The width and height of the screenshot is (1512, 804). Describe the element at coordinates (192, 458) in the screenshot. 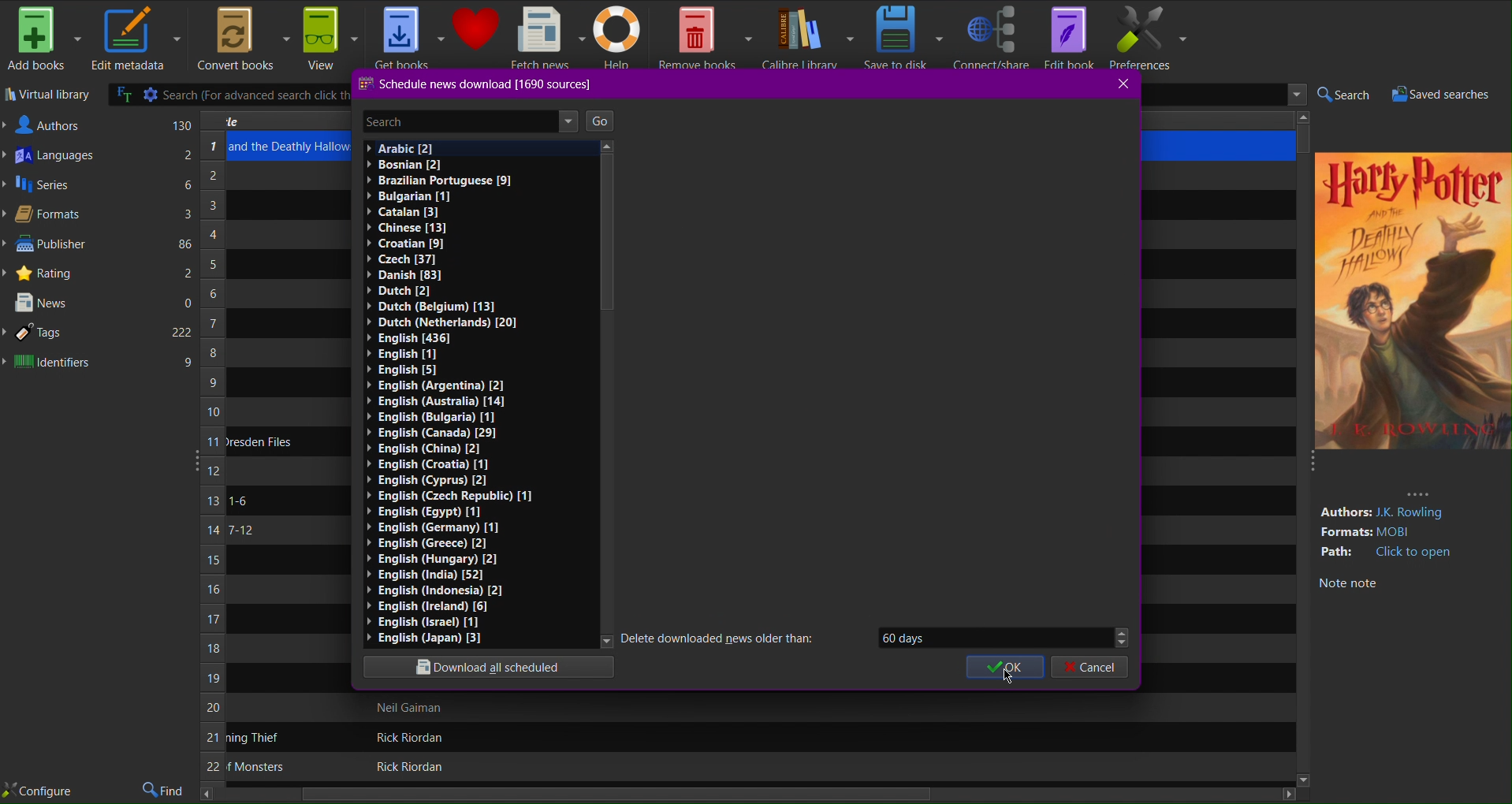

I see `Collapse` at that location.